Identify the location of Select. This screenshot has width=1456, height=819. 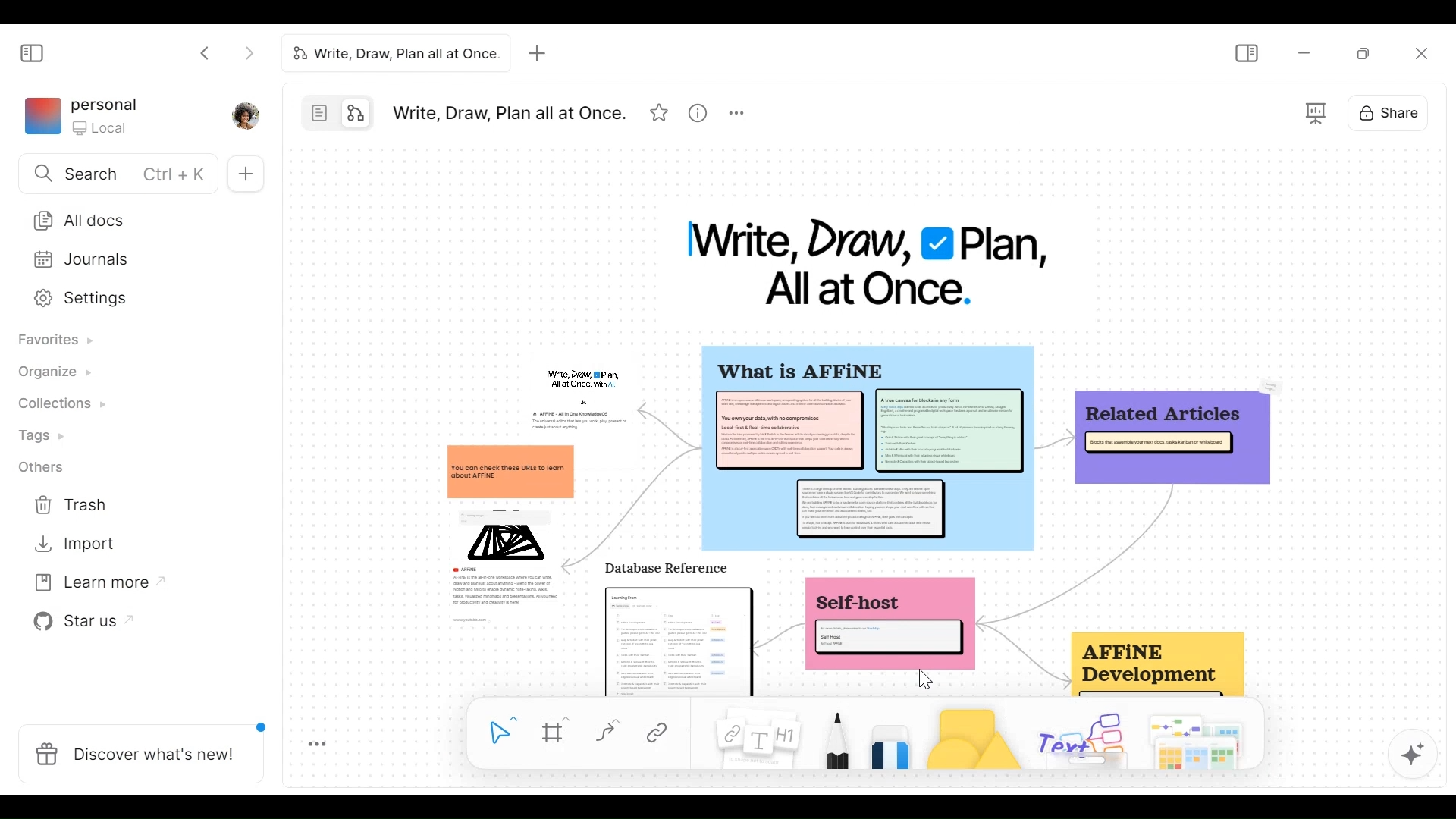
(497, 732).